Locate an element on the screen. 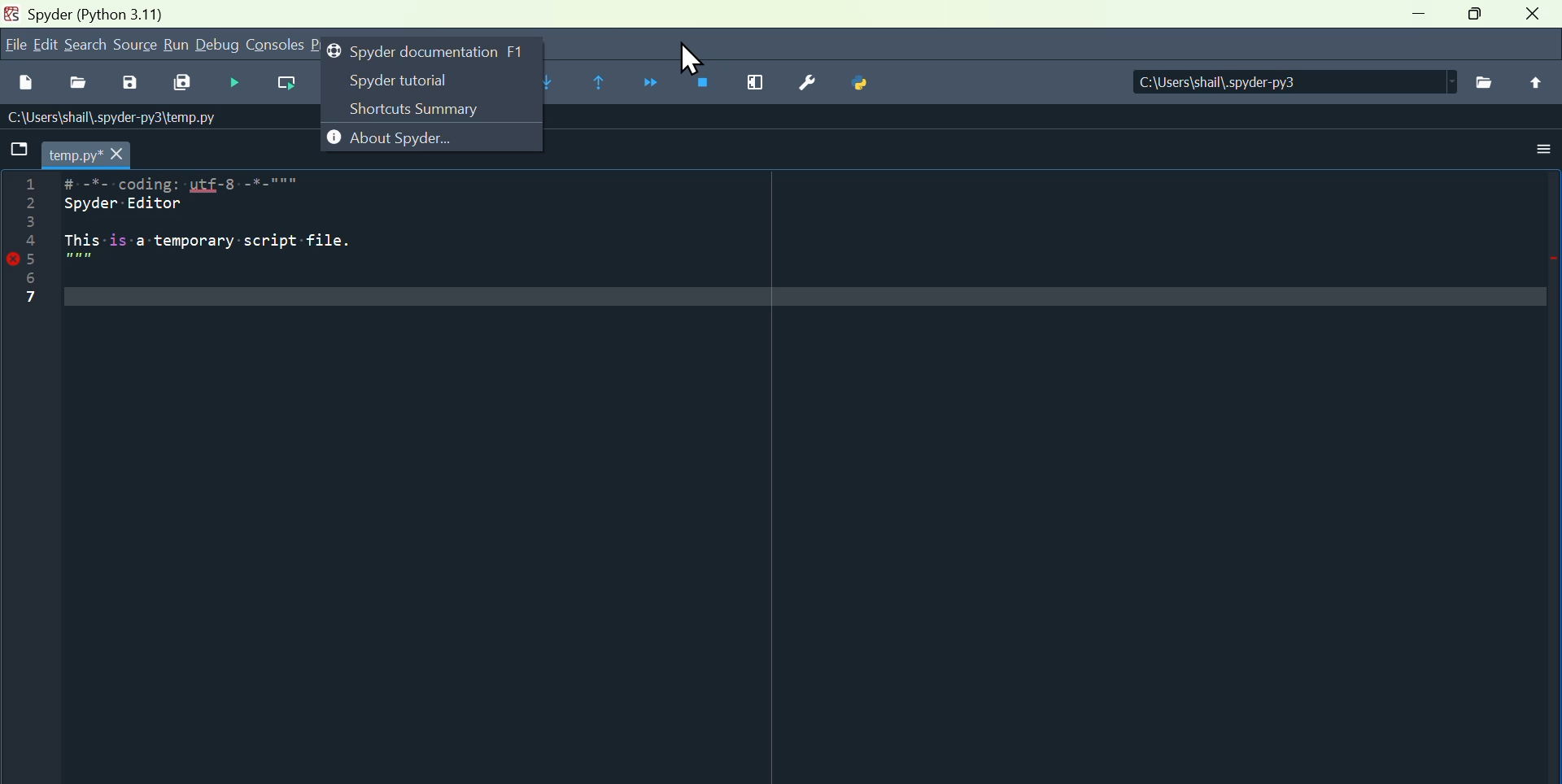  browse directories is located at coordinates (1487, 82).